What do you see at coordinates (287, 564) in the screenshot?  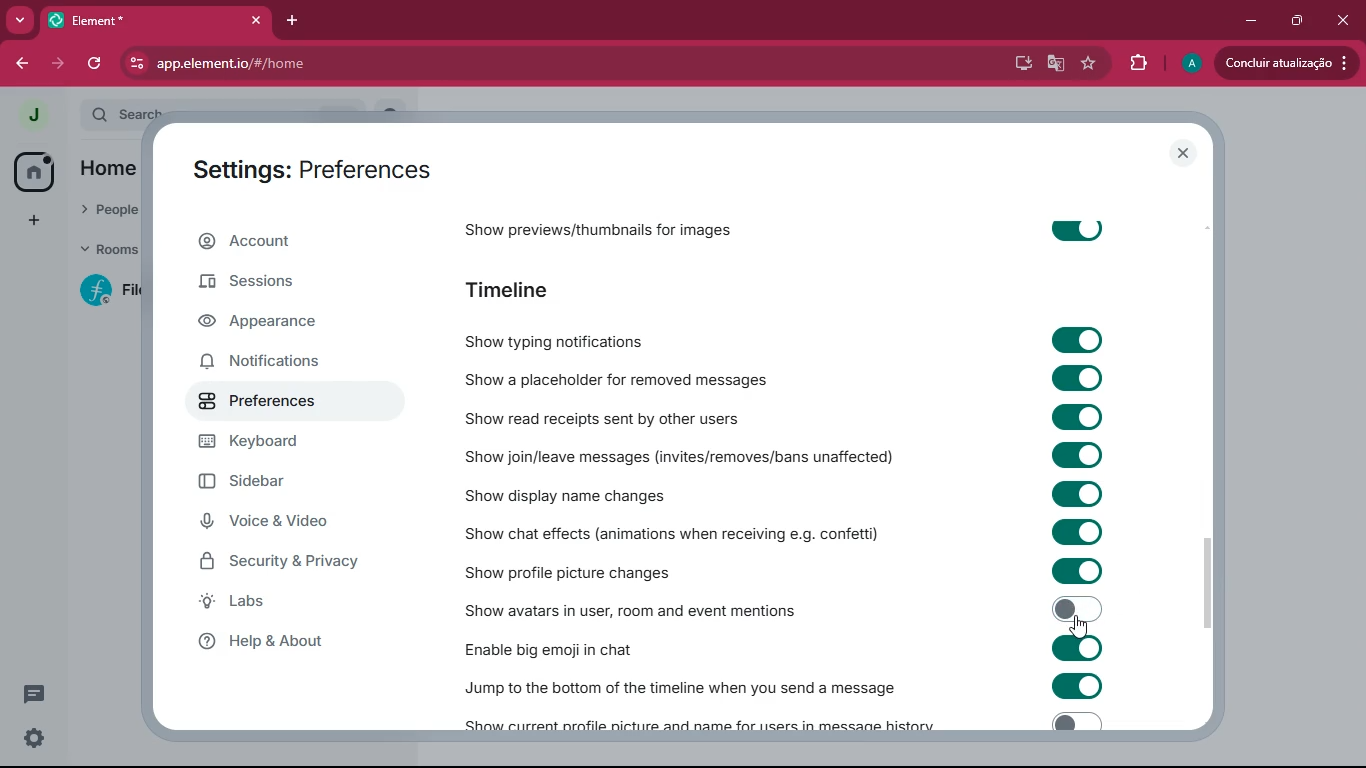 I see `security` at bounding box center [287, 564].